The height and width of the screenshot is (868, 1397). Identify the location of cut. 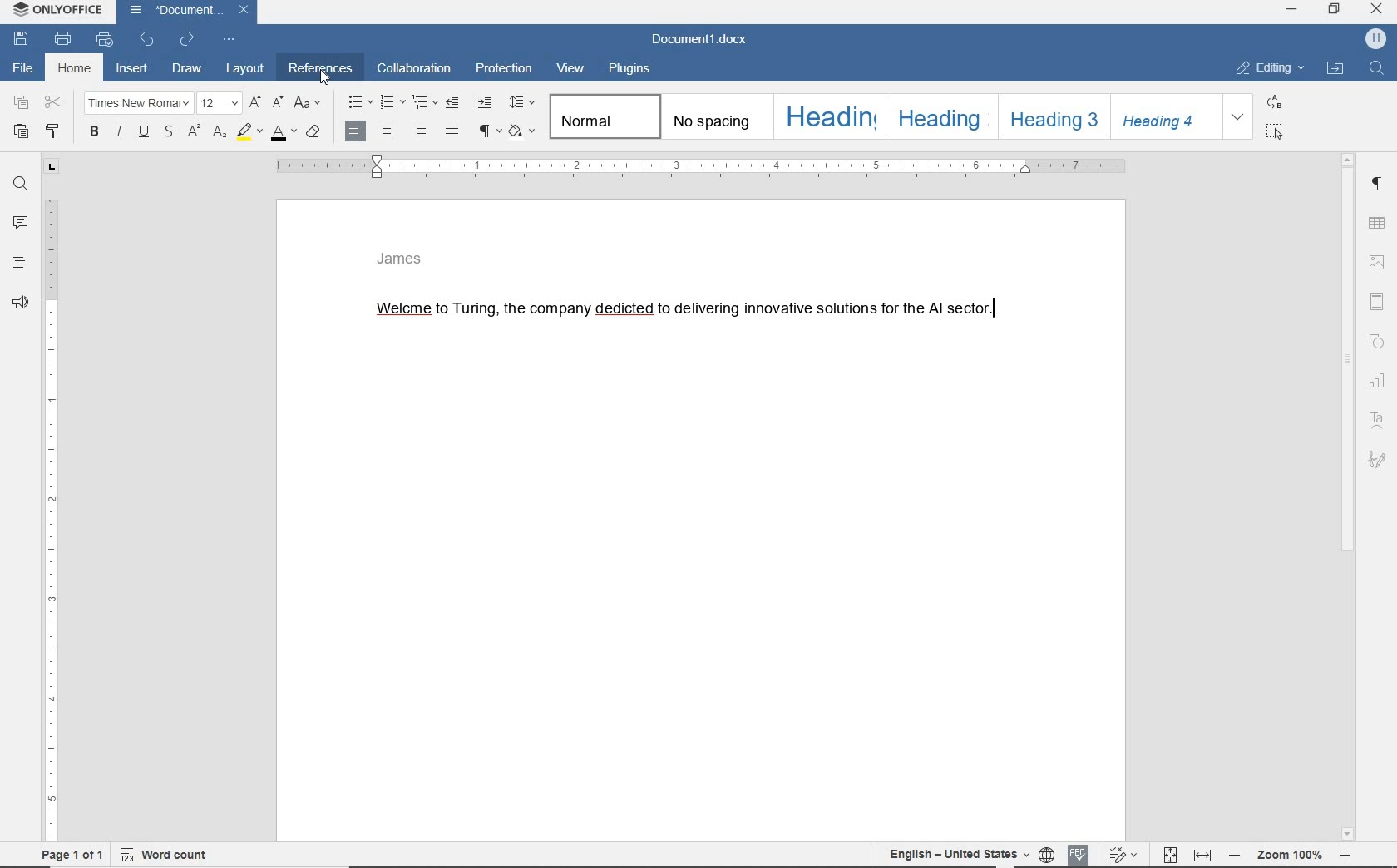
(53, 102).